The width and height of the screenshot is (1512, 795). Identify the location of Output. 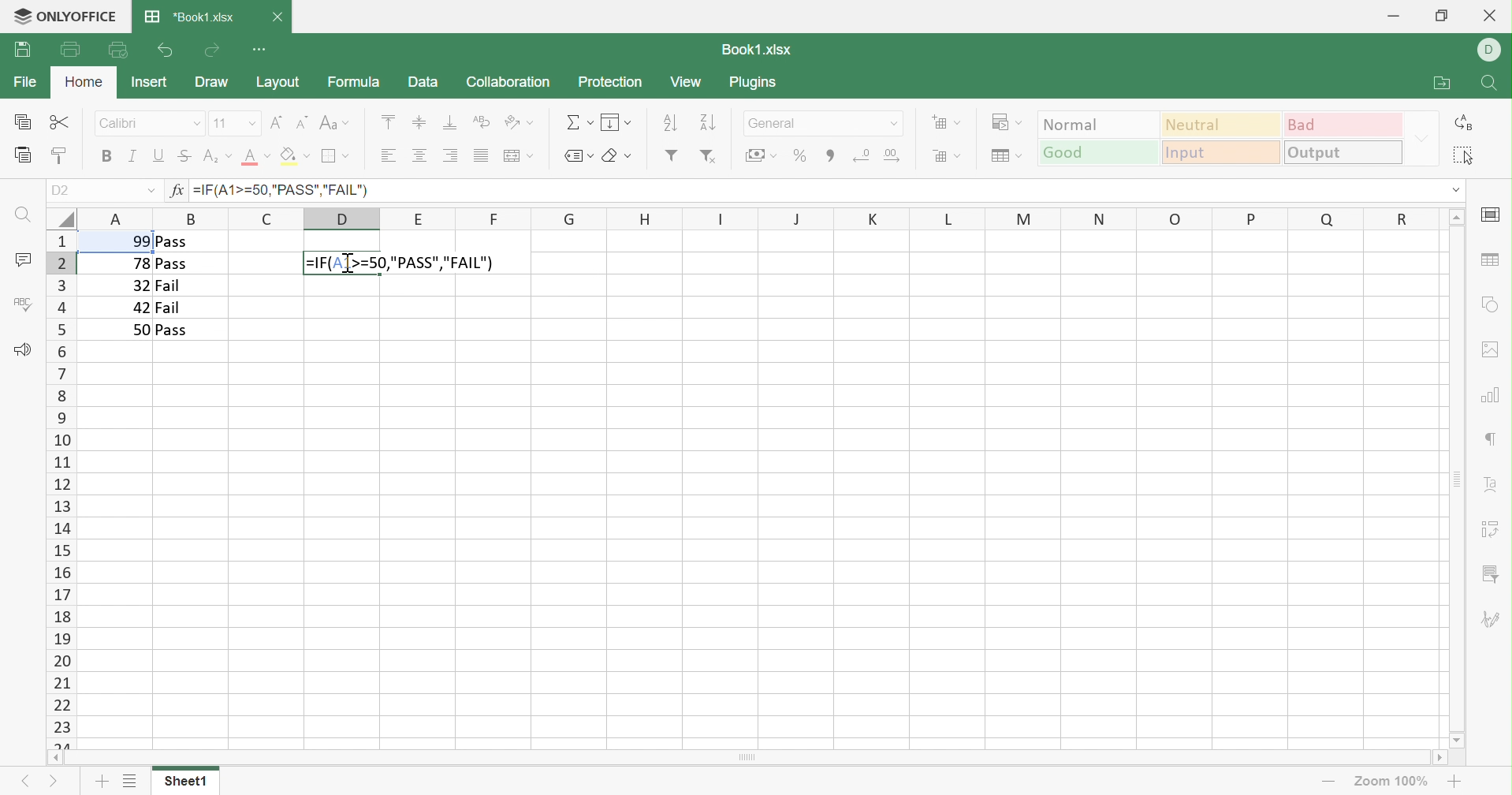
(1345, 151).